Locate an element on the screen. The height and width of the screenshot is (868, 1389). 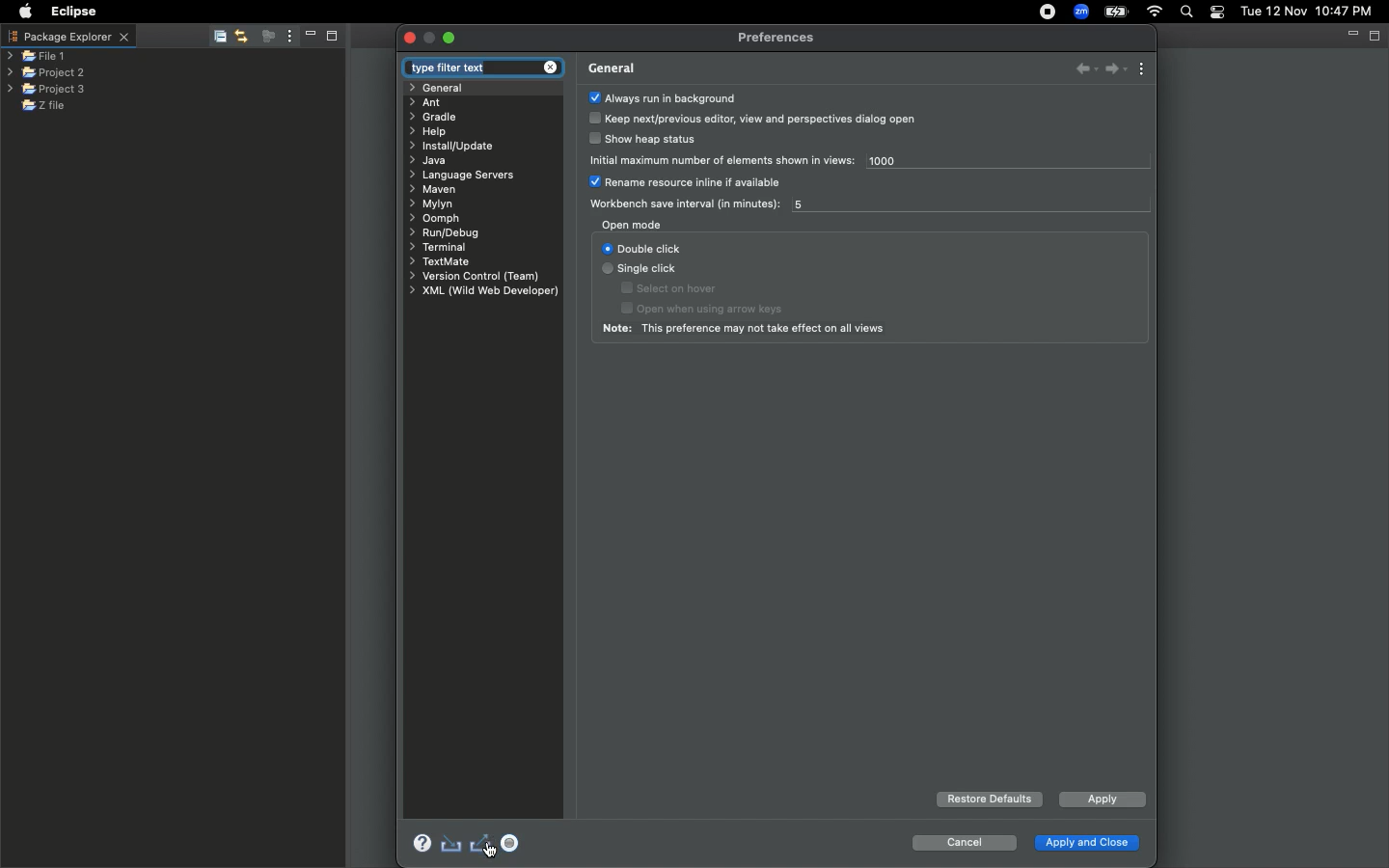
Close is located at coordinates (410, 38).